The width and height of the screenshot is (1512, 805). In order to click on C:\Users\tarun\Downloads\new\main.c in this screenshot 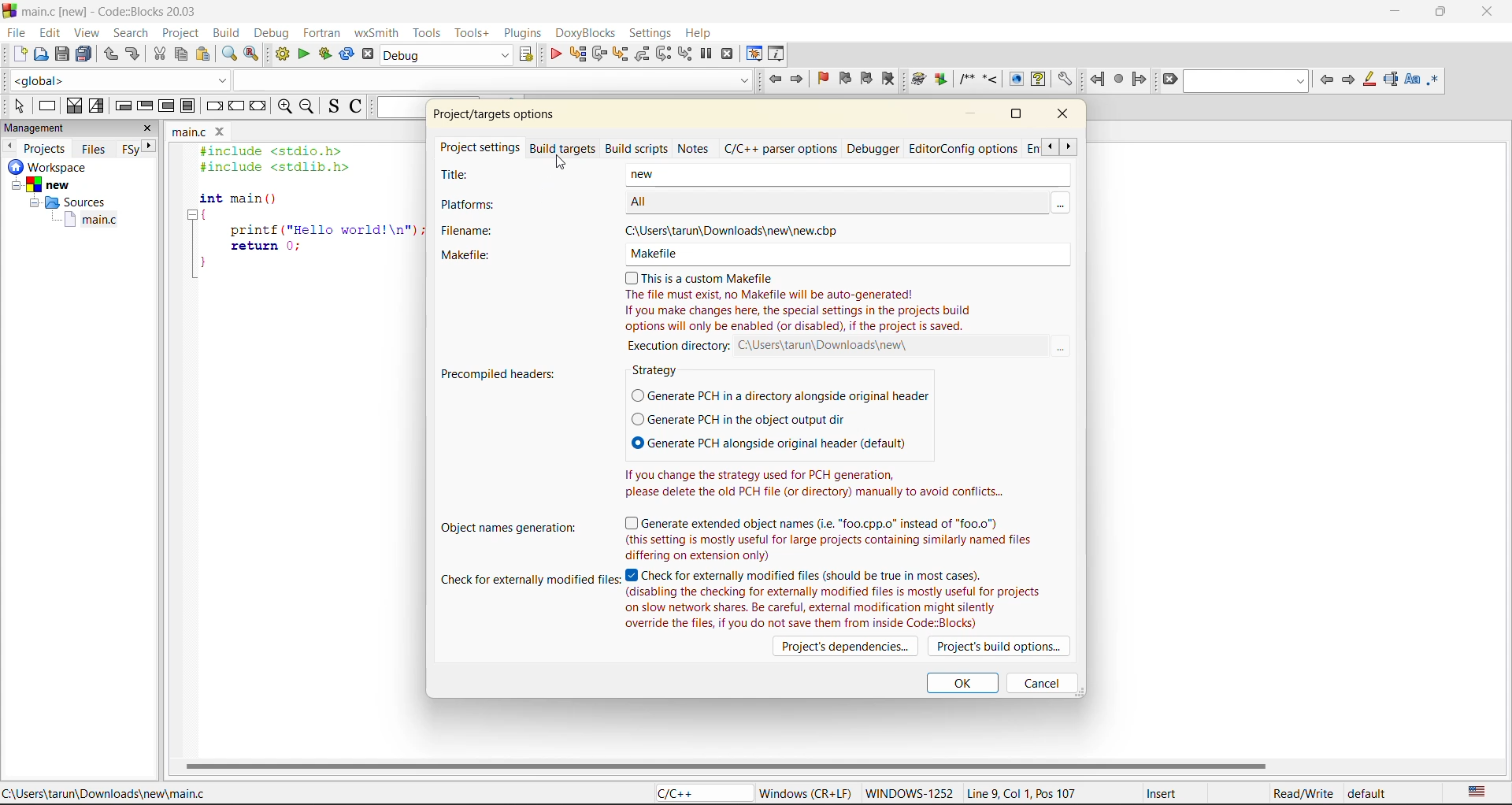, I will do `click(109, 794)`.